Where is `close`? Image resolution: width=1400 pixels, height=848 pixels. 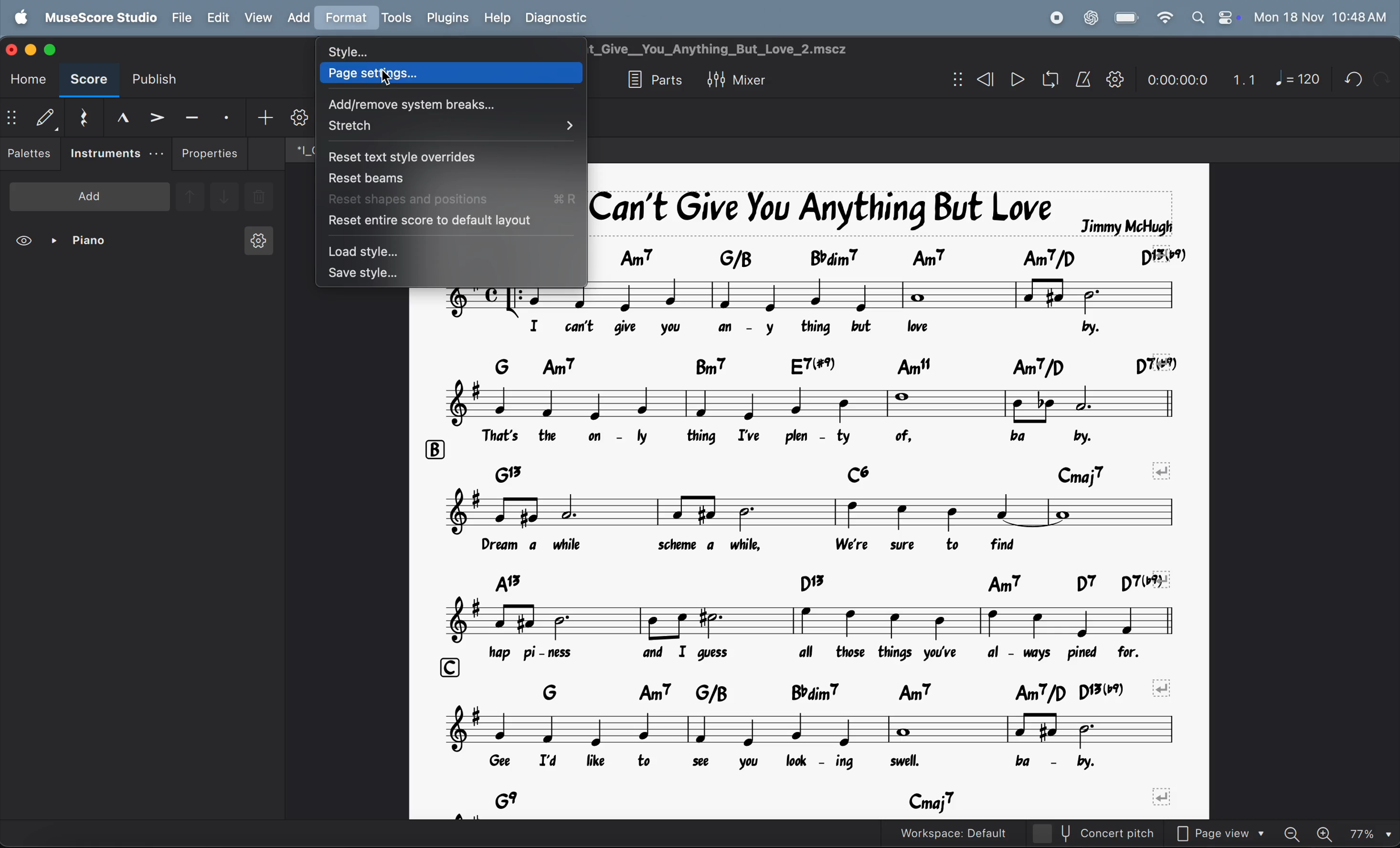 close is located at coordinates (14, 48).